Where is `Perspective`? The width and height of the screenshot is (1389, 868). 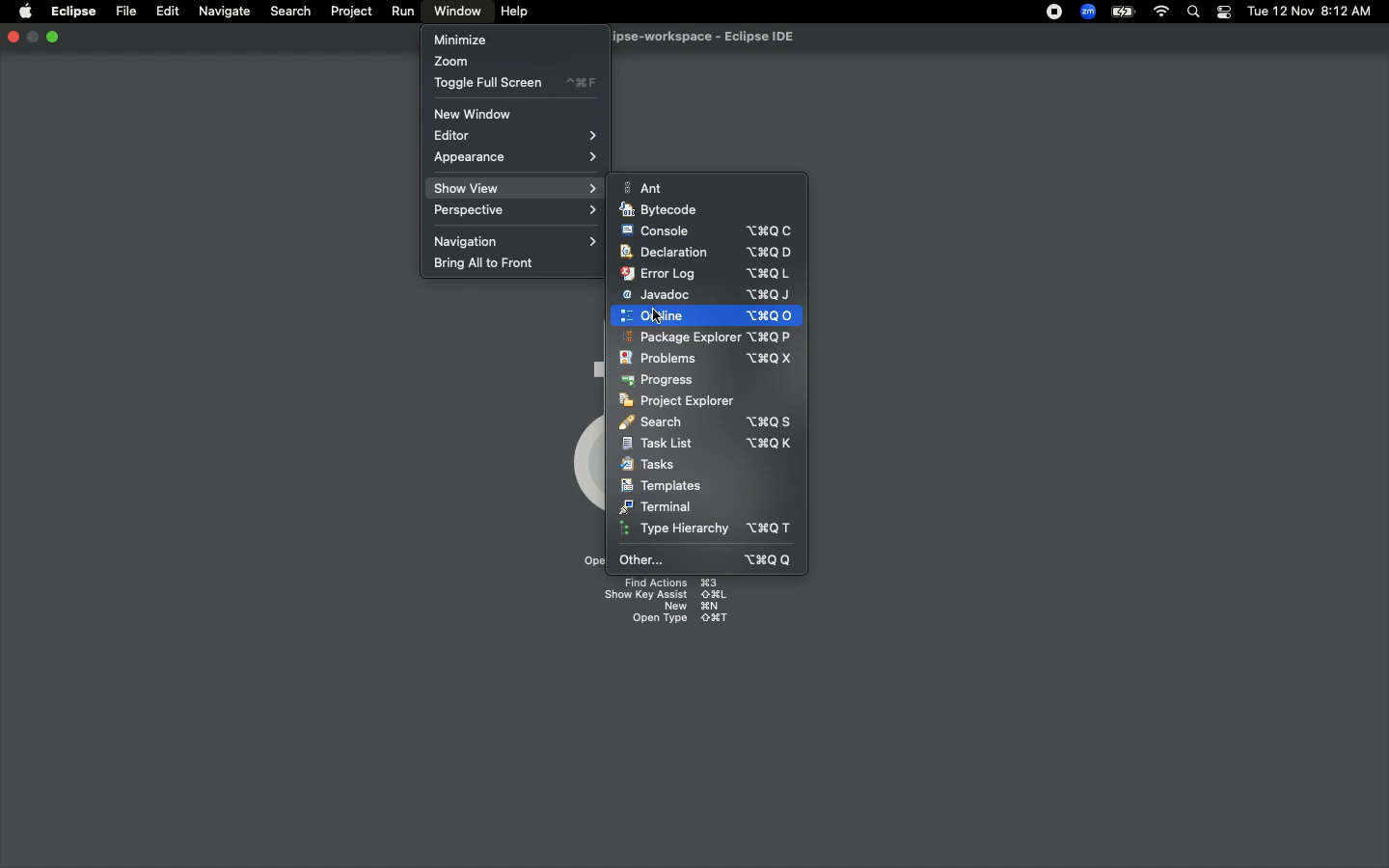
Perspective is located at coordinates (512, 214).